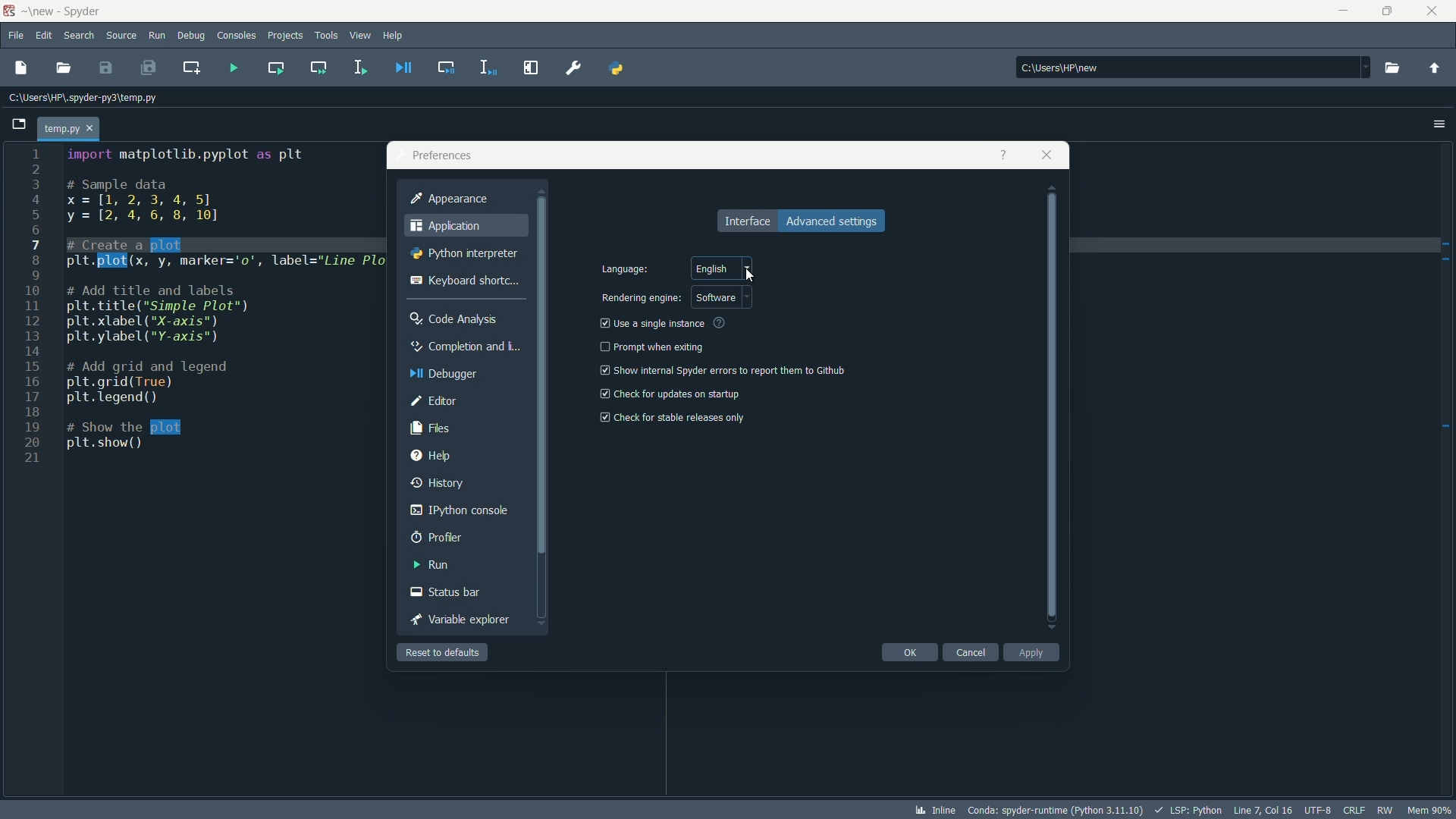 The width and height of the screenshot is (1456, 819). Describe the element at coordinates (358, 67) in the screenshot. I see `run selection` at that location.